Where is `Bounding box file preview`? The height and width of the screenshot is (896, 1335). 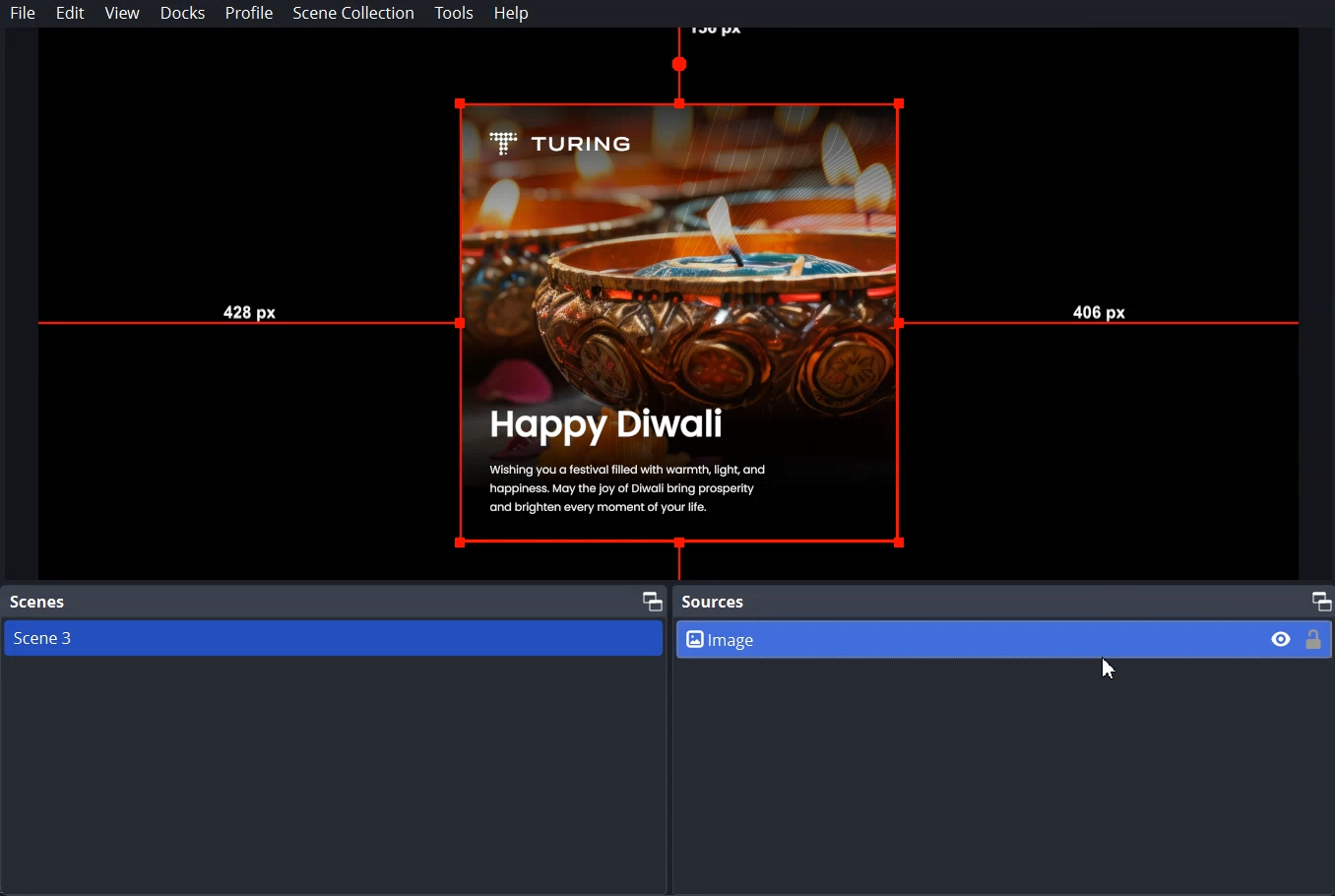
Bounding box file preview is located at coordinates (666, 304).